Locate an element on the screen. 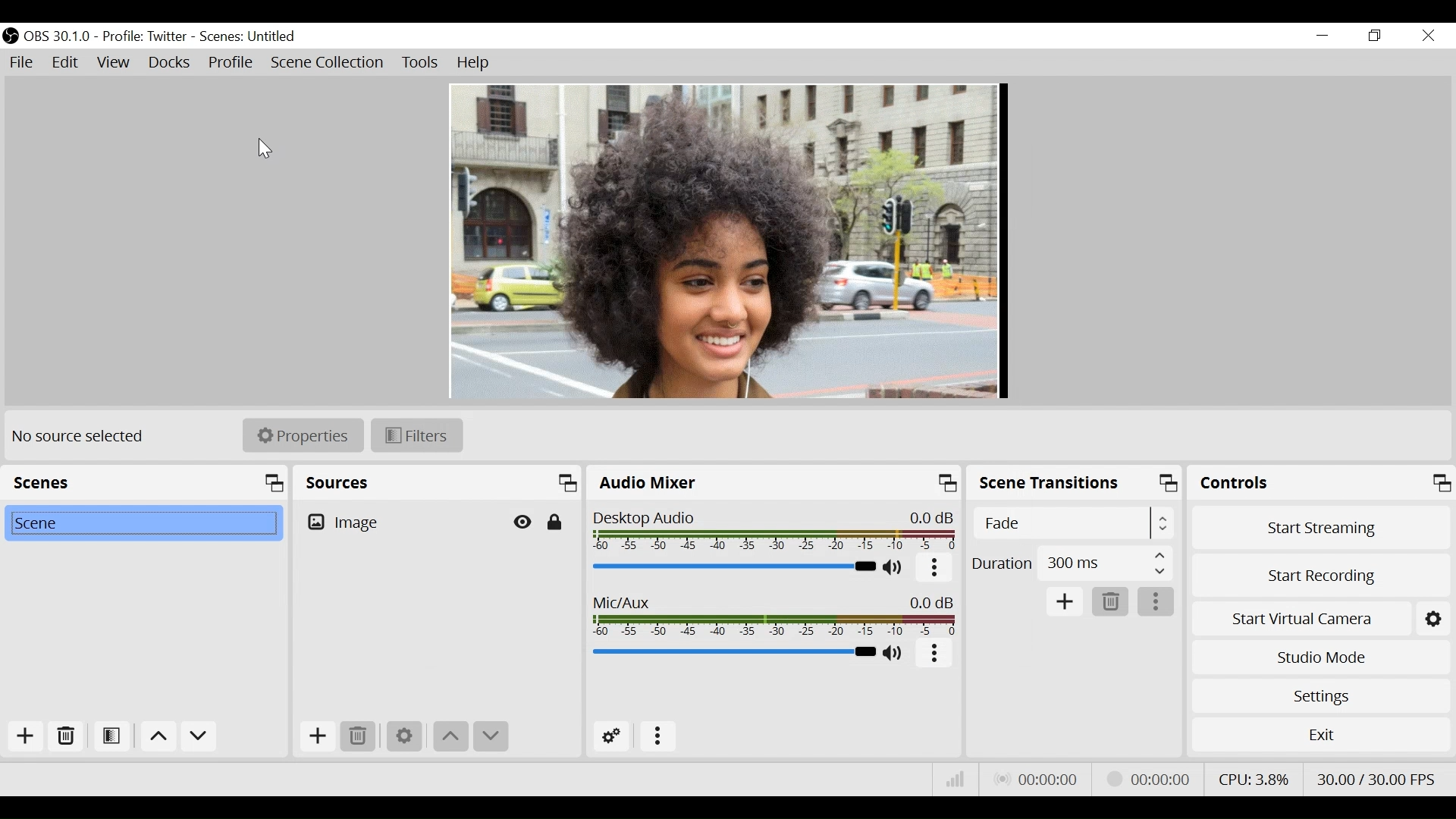 This screenshot has height=819, width=1456. Close is located at coordinates (1427, 35).